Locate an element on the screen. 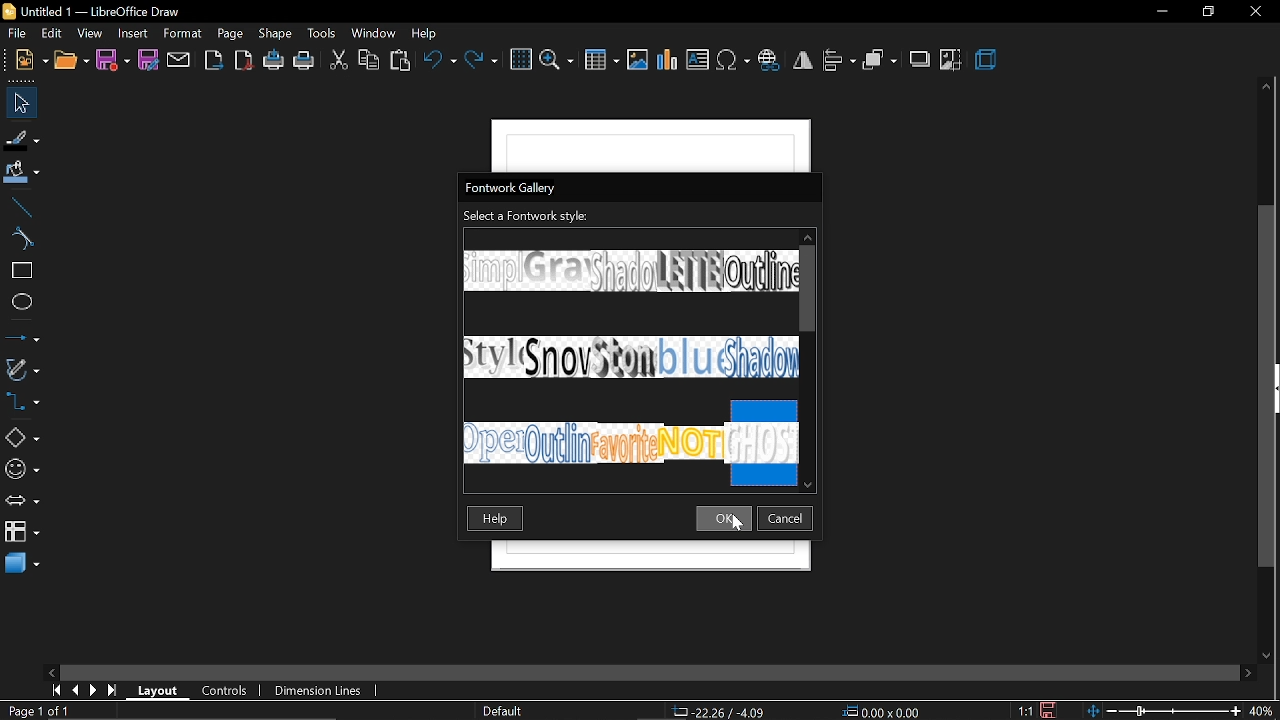  basic shapes is located at coordinates (20, 437).